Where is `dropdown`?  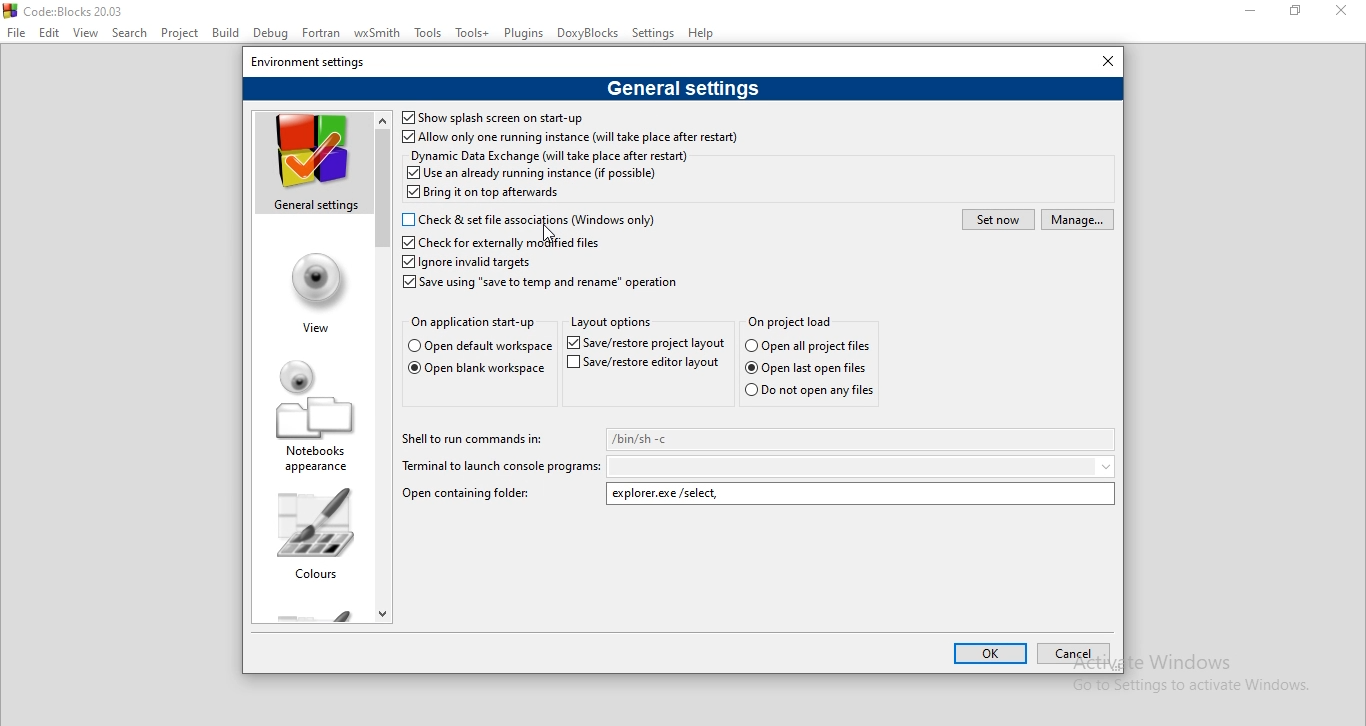 dropdown is located at coordinates (863, 466).